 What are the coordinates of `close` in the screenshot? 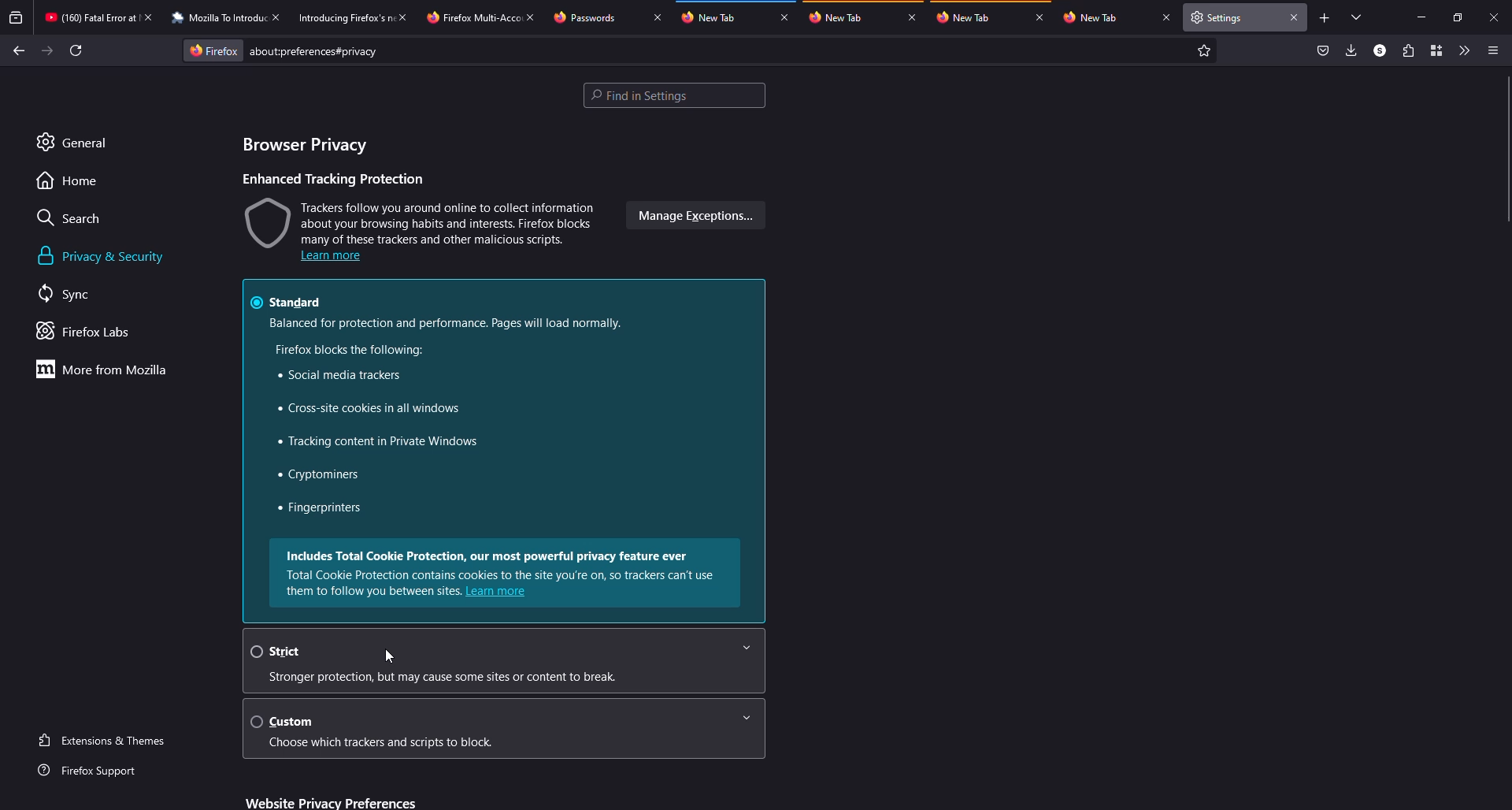 It's located at (407, 17).